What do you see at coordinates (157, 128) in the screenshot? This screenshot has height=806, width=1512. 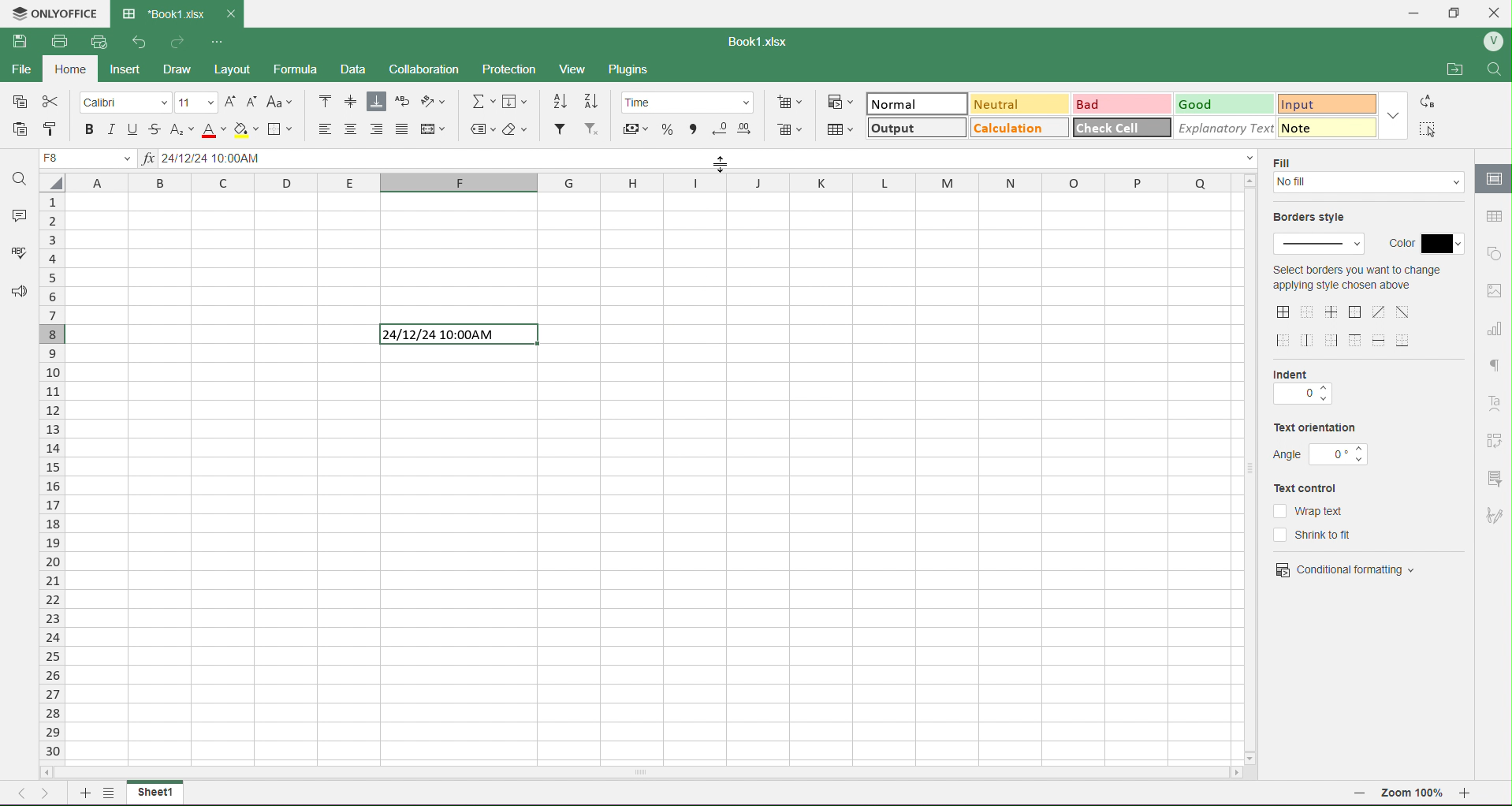 I see `Strikethrough` at bounding box center [157, 128].